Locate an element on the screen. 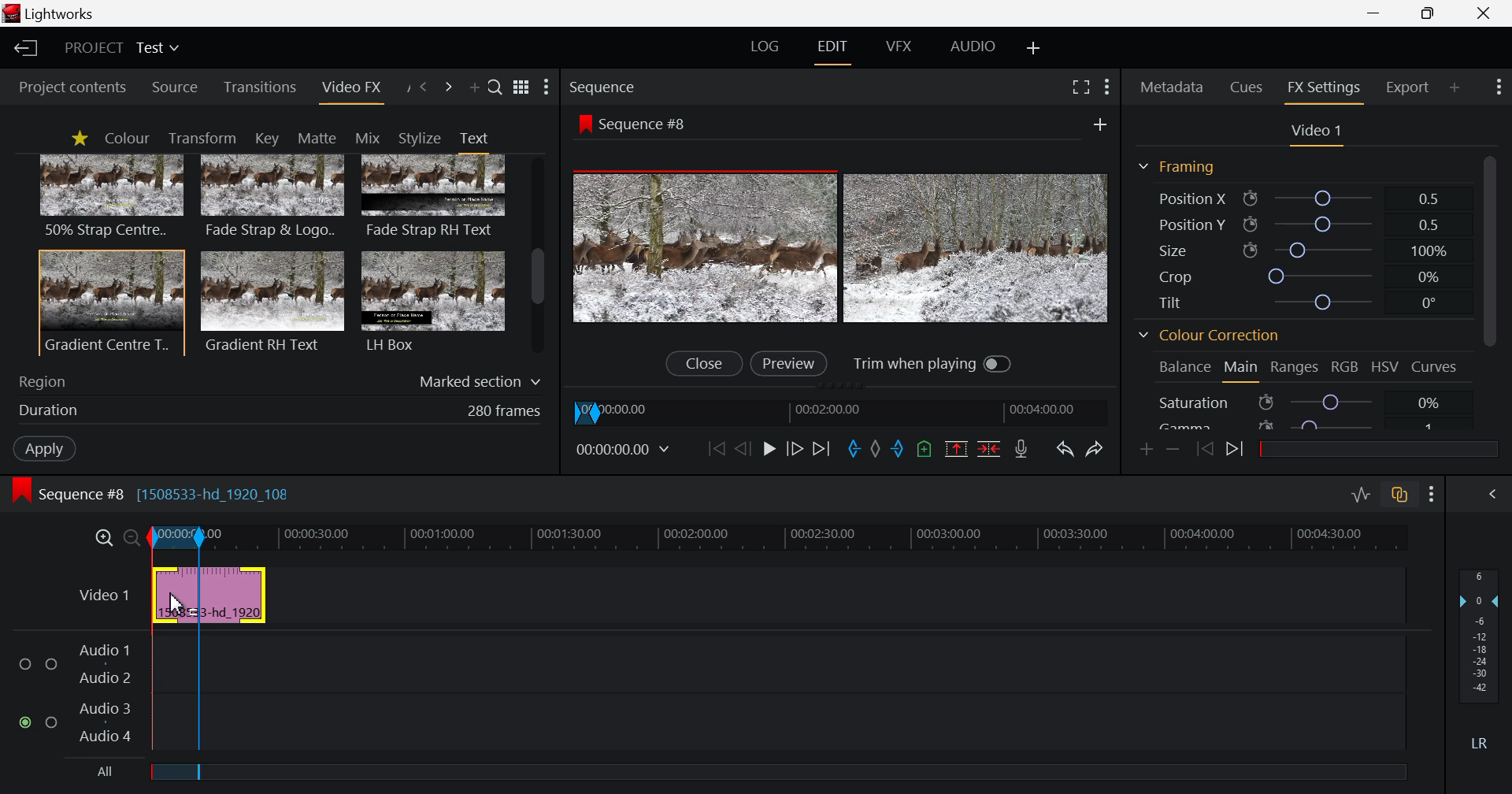 The height and width of the screenshot is (794, 1512). Undo is located at coordinates (1065, 449).